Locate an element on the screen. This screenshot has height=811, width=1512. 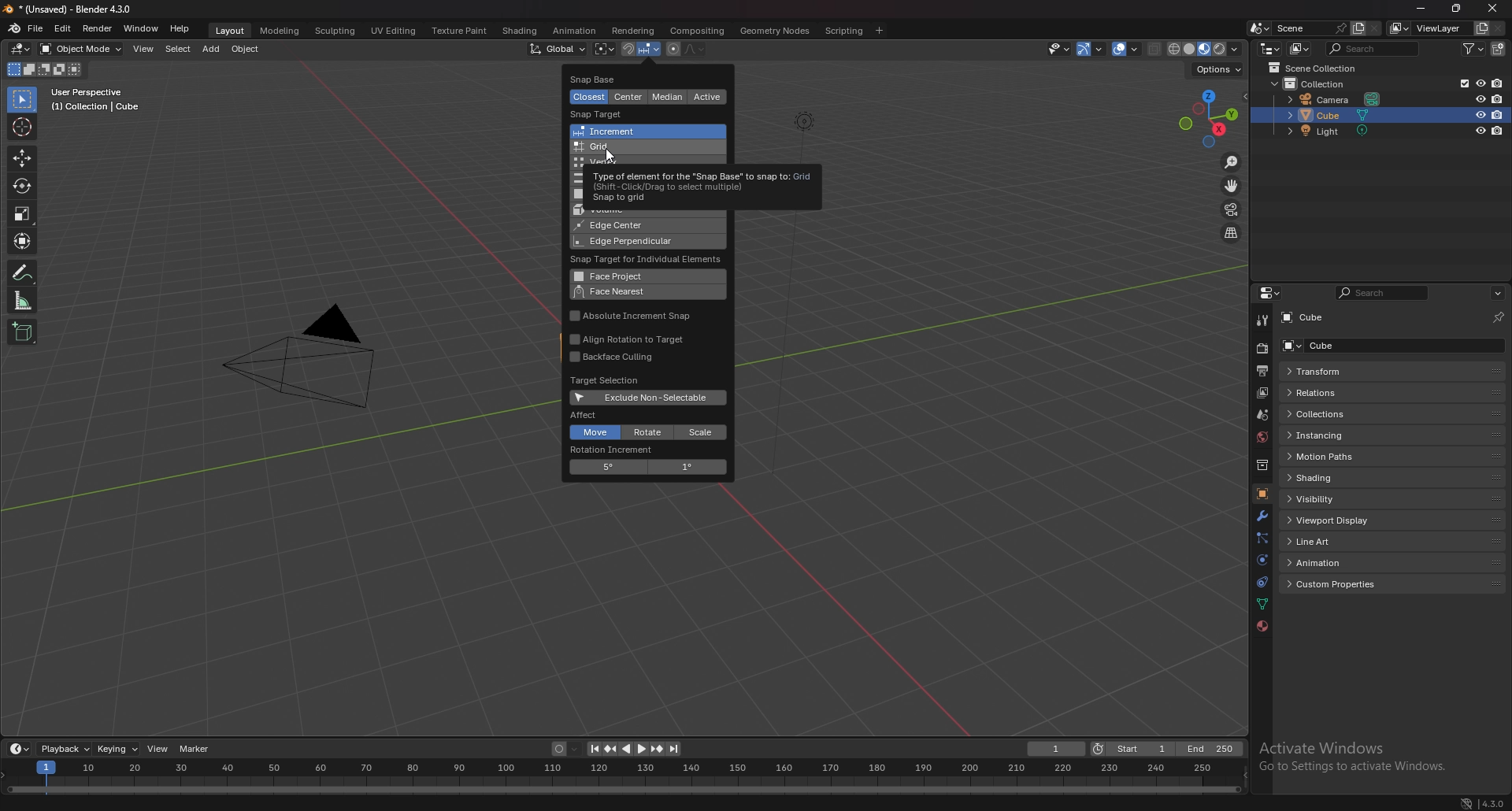
edit is located at coordinates (62, 29).